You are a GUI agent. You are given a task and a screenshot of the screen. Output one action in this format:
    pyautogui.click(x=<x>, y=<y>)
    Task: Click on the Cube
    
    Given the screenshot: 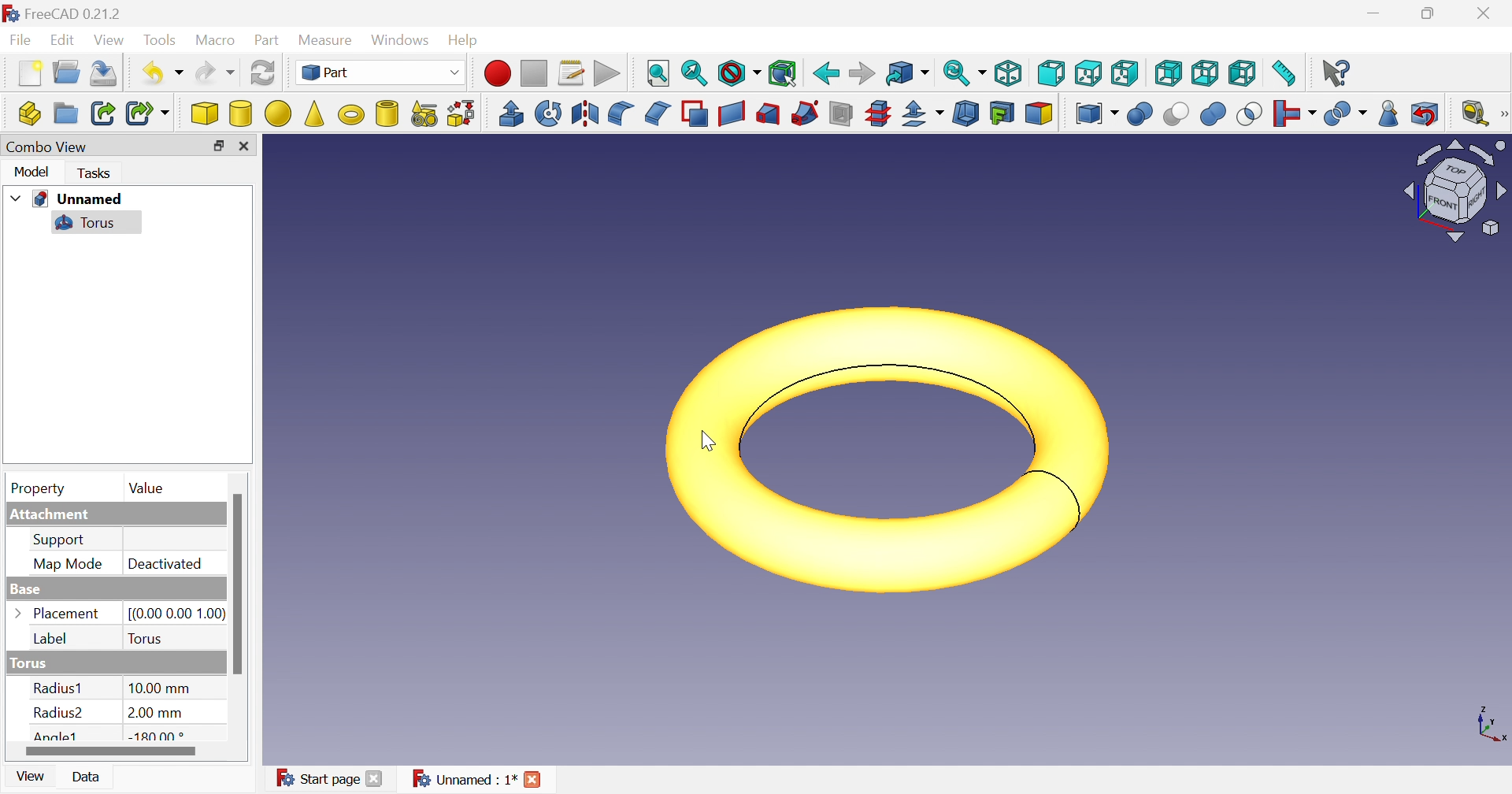 What is the action you would take?
    pyautogui.click(x=202, y=113)
    